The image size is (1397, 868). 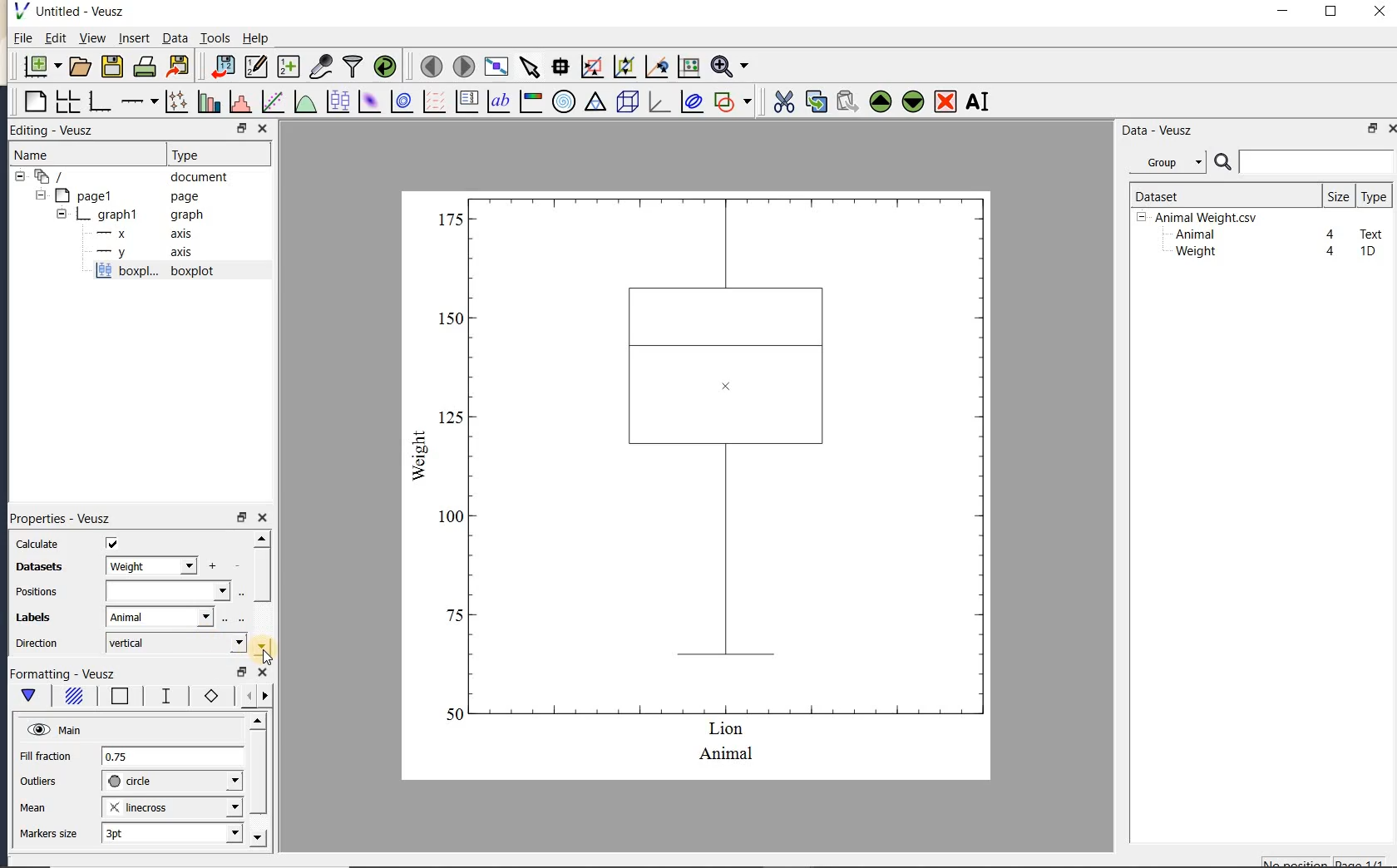 What do you see at coordinates (1331, 12) in the screenshot?
I see `maximize` at bounding box center [1331, 12].